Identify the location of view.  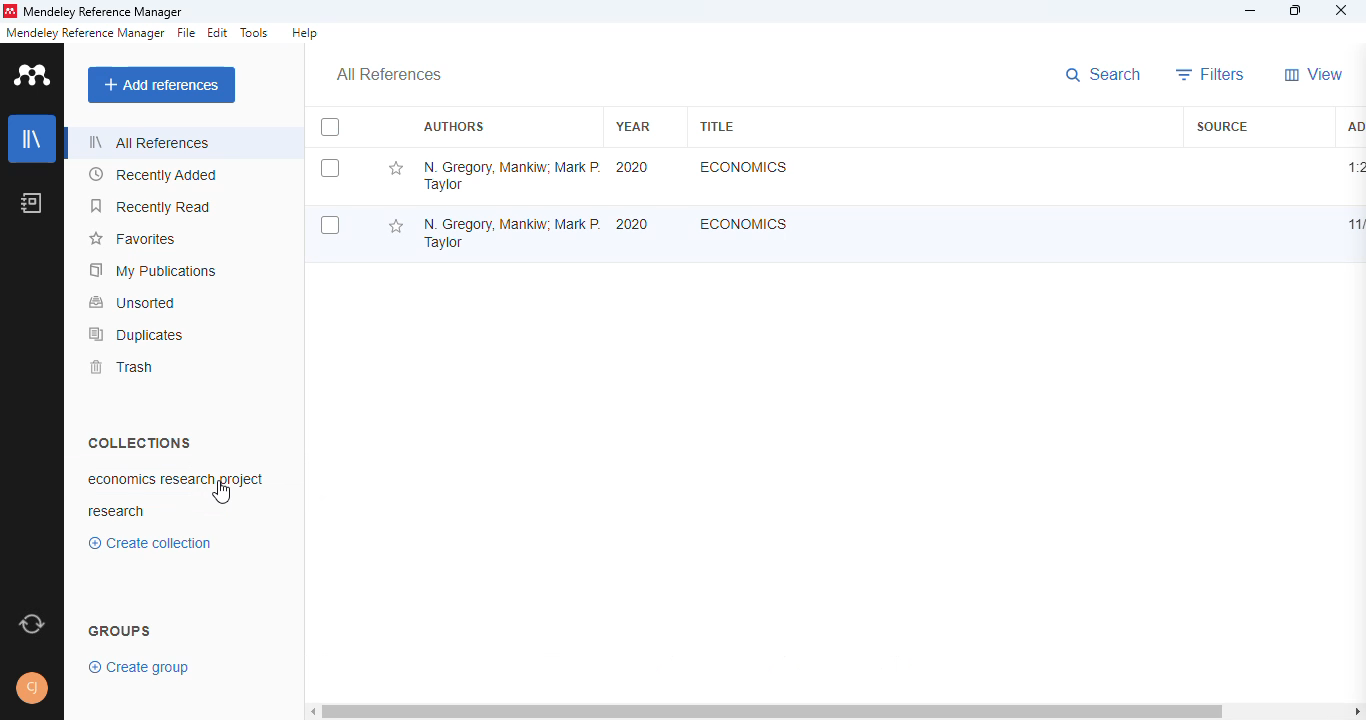
(1314, 74).